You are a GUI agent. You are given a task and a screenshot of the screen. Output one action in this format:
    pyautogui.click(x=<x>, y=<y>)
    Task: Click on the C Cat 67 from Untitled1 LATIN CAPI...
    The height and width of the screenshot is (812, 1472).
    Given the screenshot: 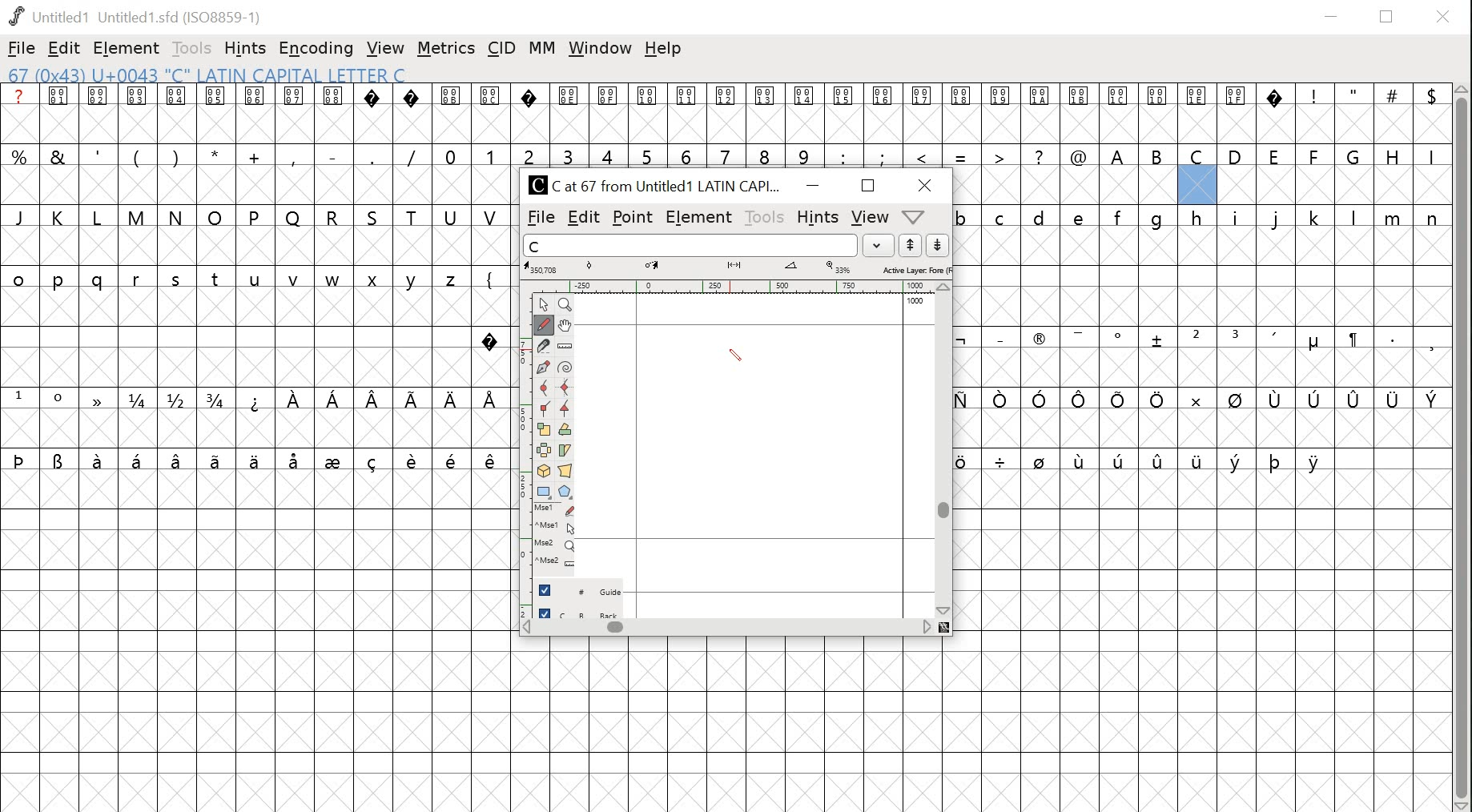 What is the action you would take?
    pyautogui.click(x=657, y=184)
    